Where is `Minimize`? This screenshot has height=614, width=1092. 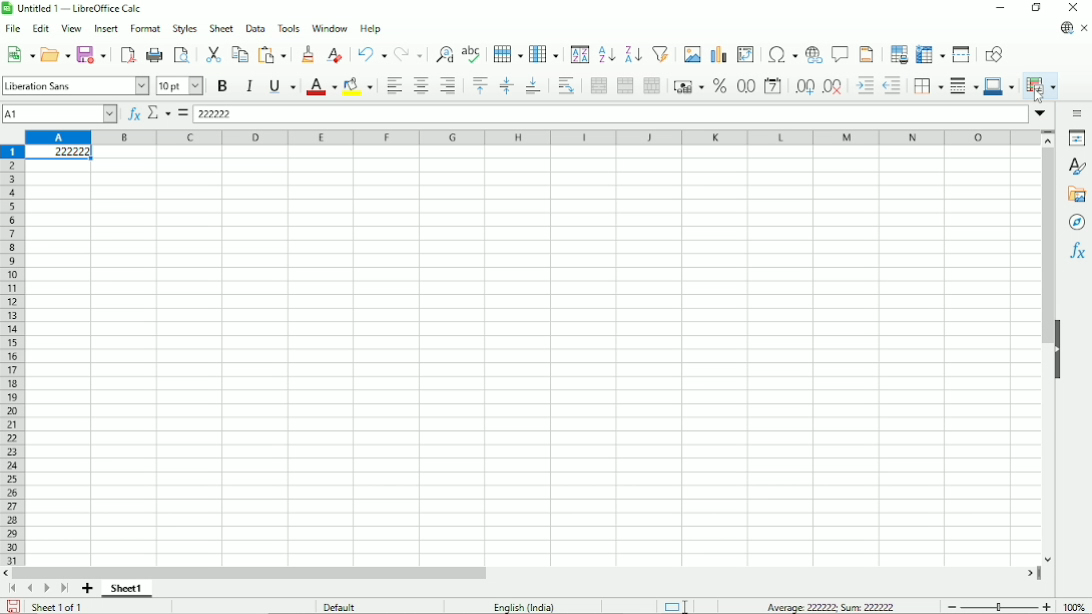 Minimize is located at coordinates (1000, 10).